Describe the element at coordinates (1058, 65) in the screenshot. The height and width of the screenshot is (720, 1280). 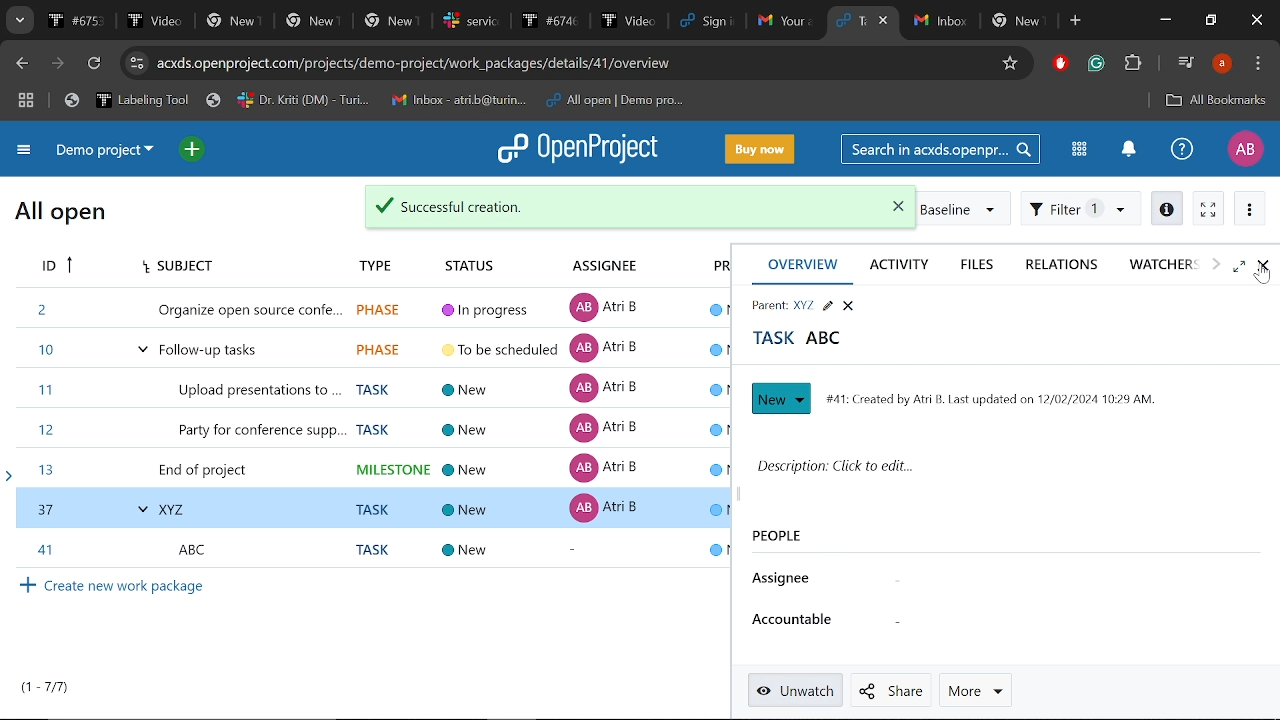
I see `Add block` at that location.